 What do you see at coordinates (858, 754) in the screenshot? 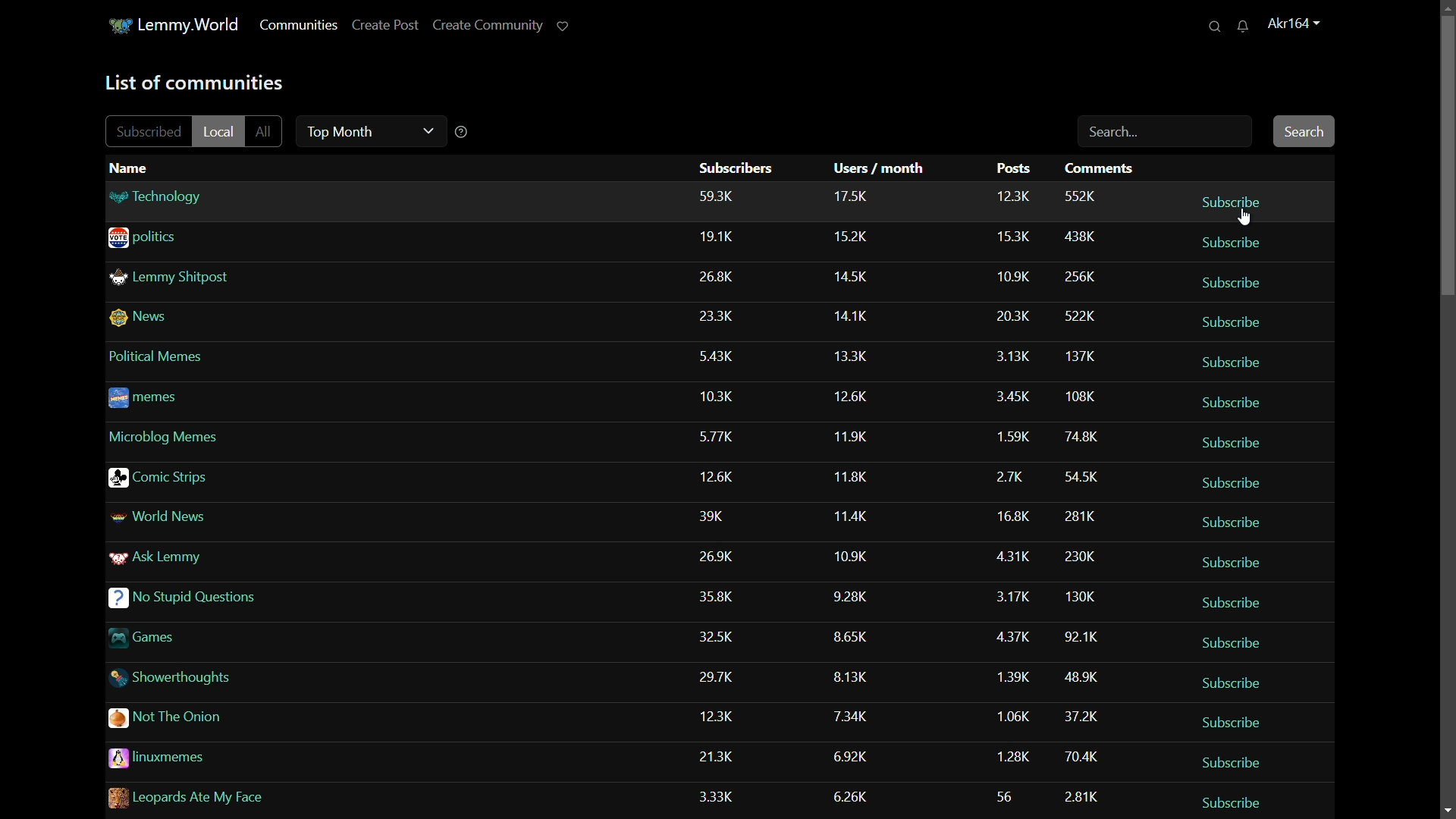
I see `user per month` at bounding box center [858, 754].